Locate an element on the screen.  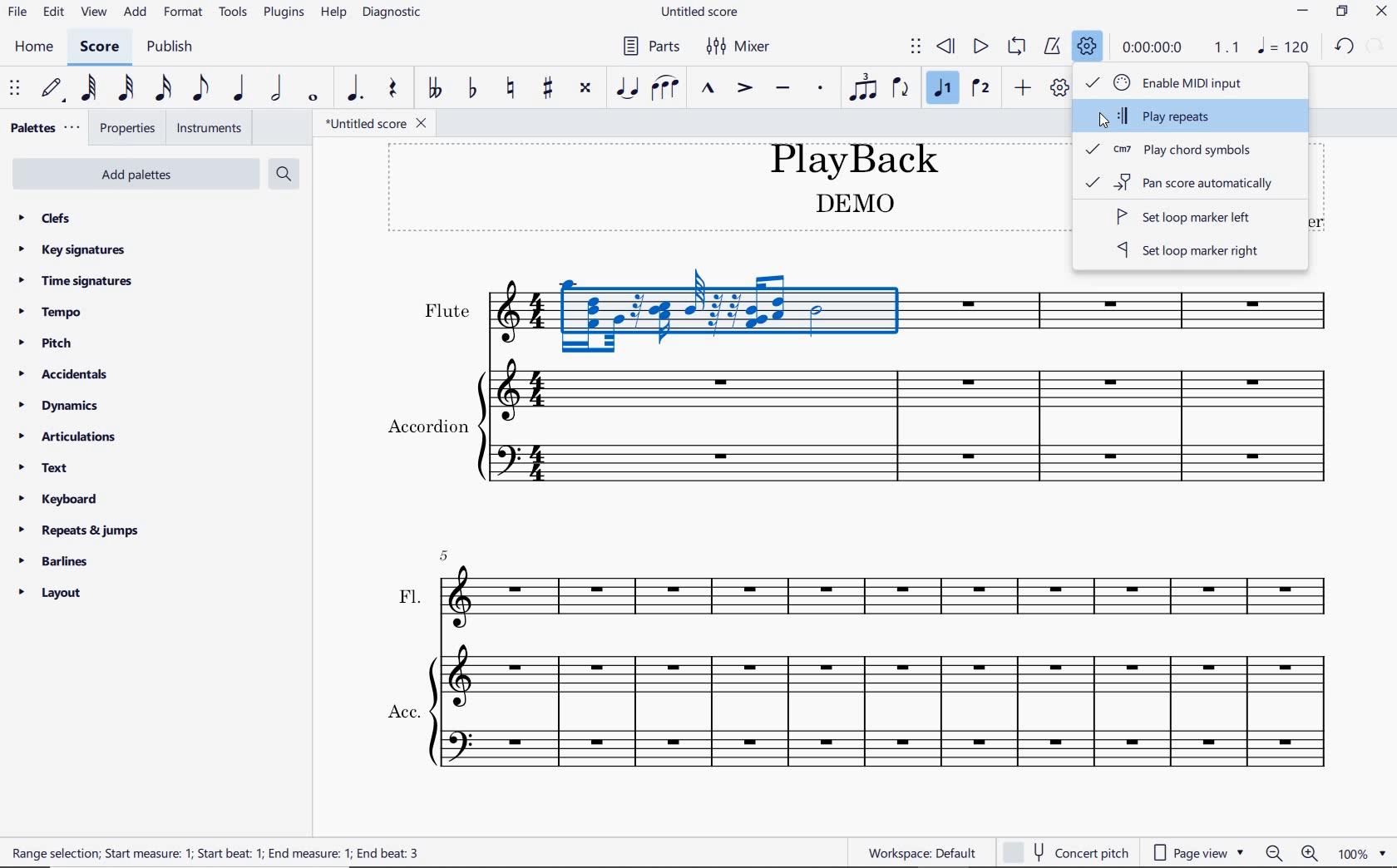
toggle double-sharp is located at coordinates (585, 88).